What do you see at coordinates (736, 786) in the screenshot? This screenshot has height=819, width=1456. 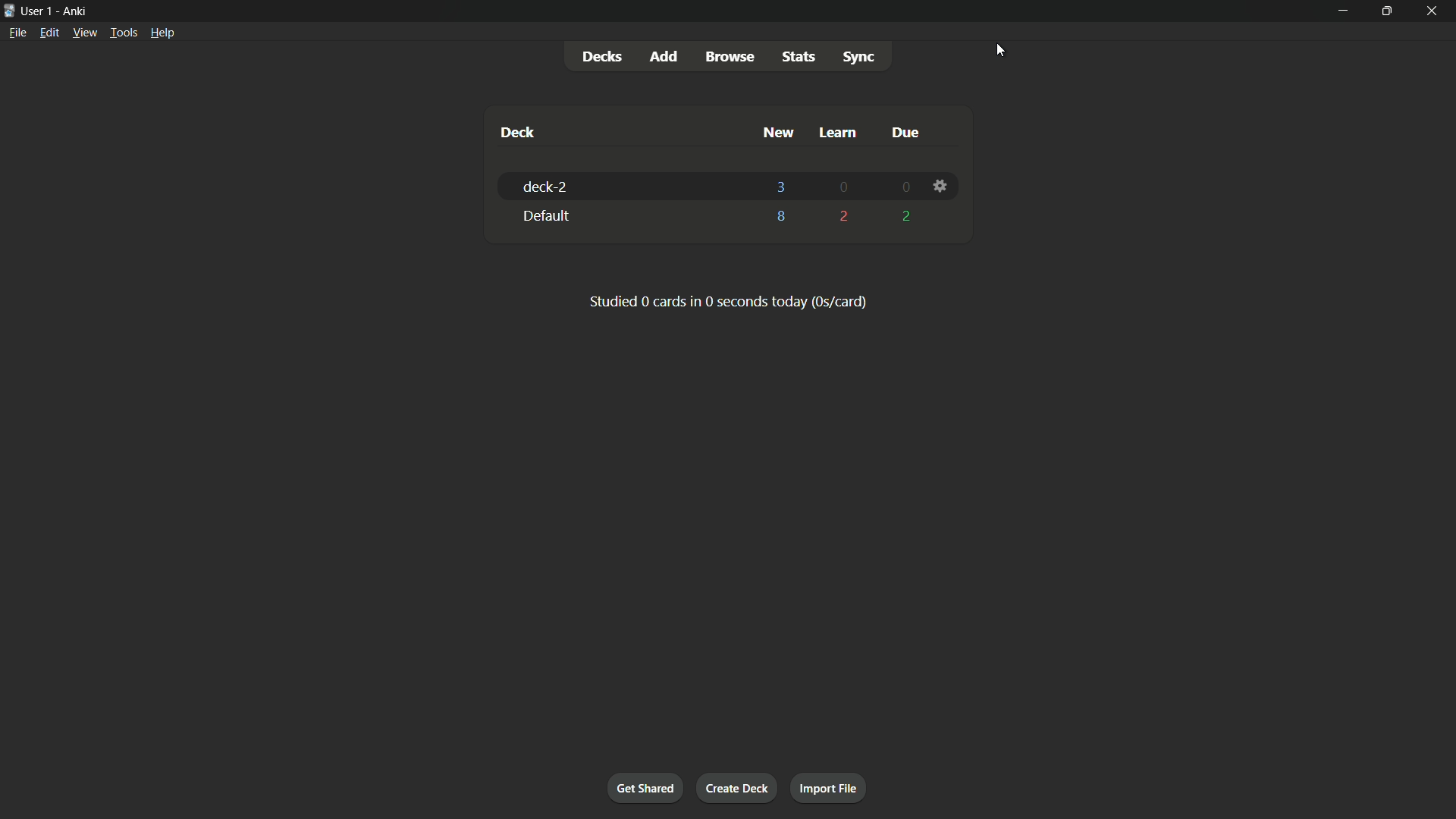 I see `create deck` at bounding box center [736, 786].